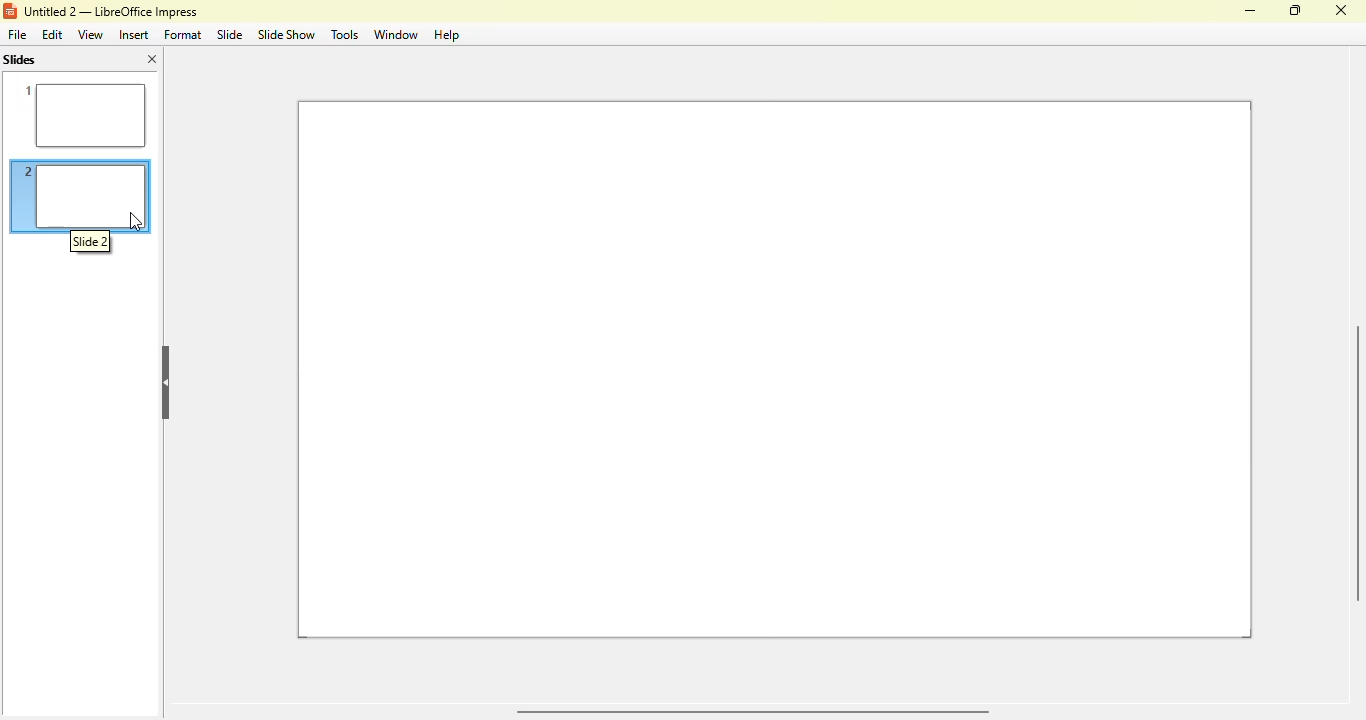  What do you see at coordinates (90, 34) in the screenshot?
I see `view` at bounding box center [90, 34].